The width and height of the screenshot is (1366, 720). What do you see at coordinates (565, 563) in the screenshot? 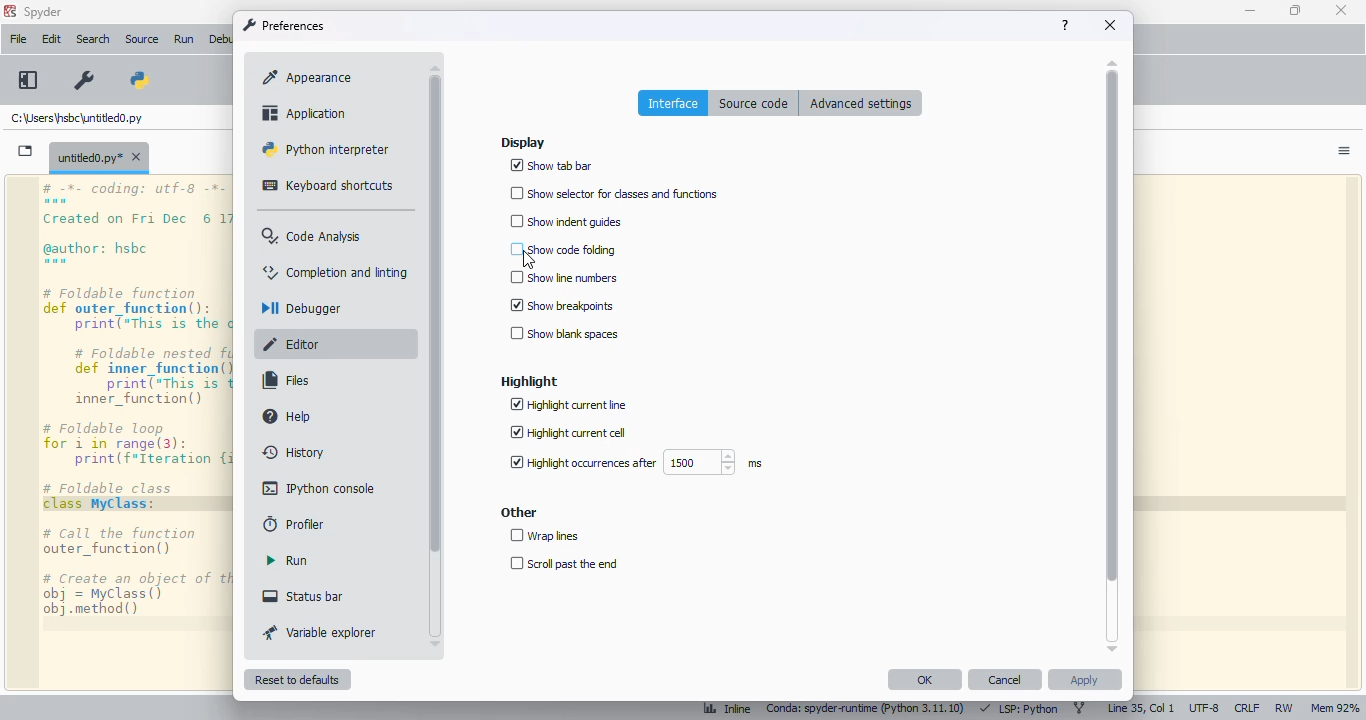
I see `scroll past the end` at bounding box center [565, 563].